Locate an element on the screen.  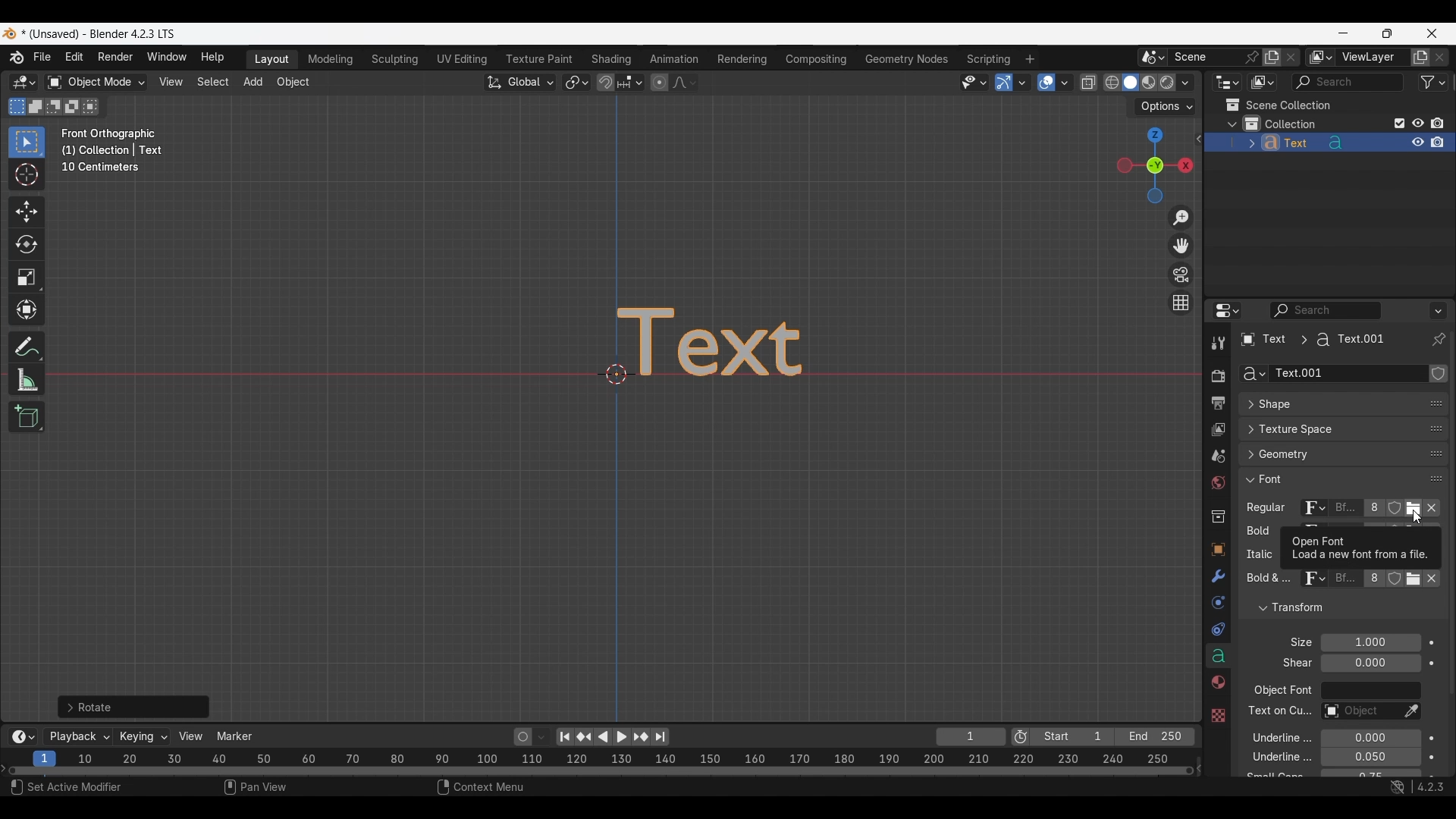
Scene property, current selection is located at coordinates (1218, 457).